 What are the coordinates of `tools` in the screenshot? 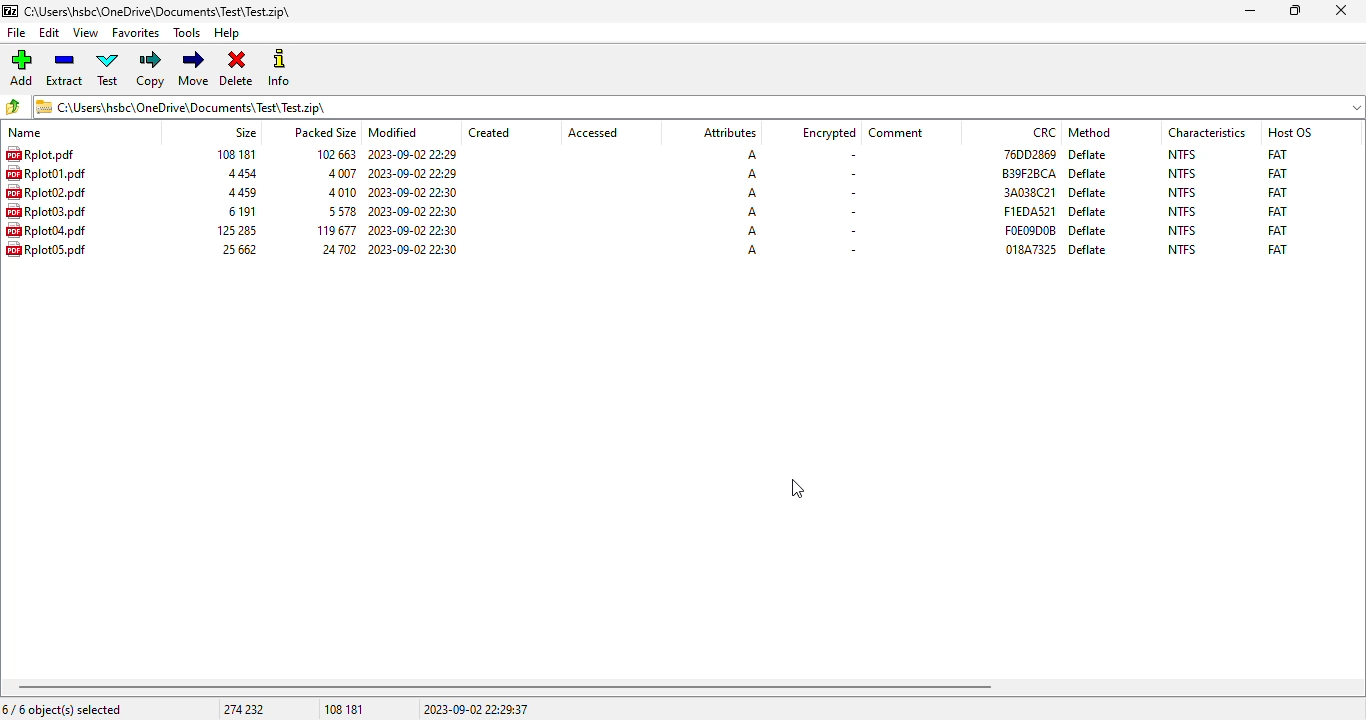 It's located at (188, 34).